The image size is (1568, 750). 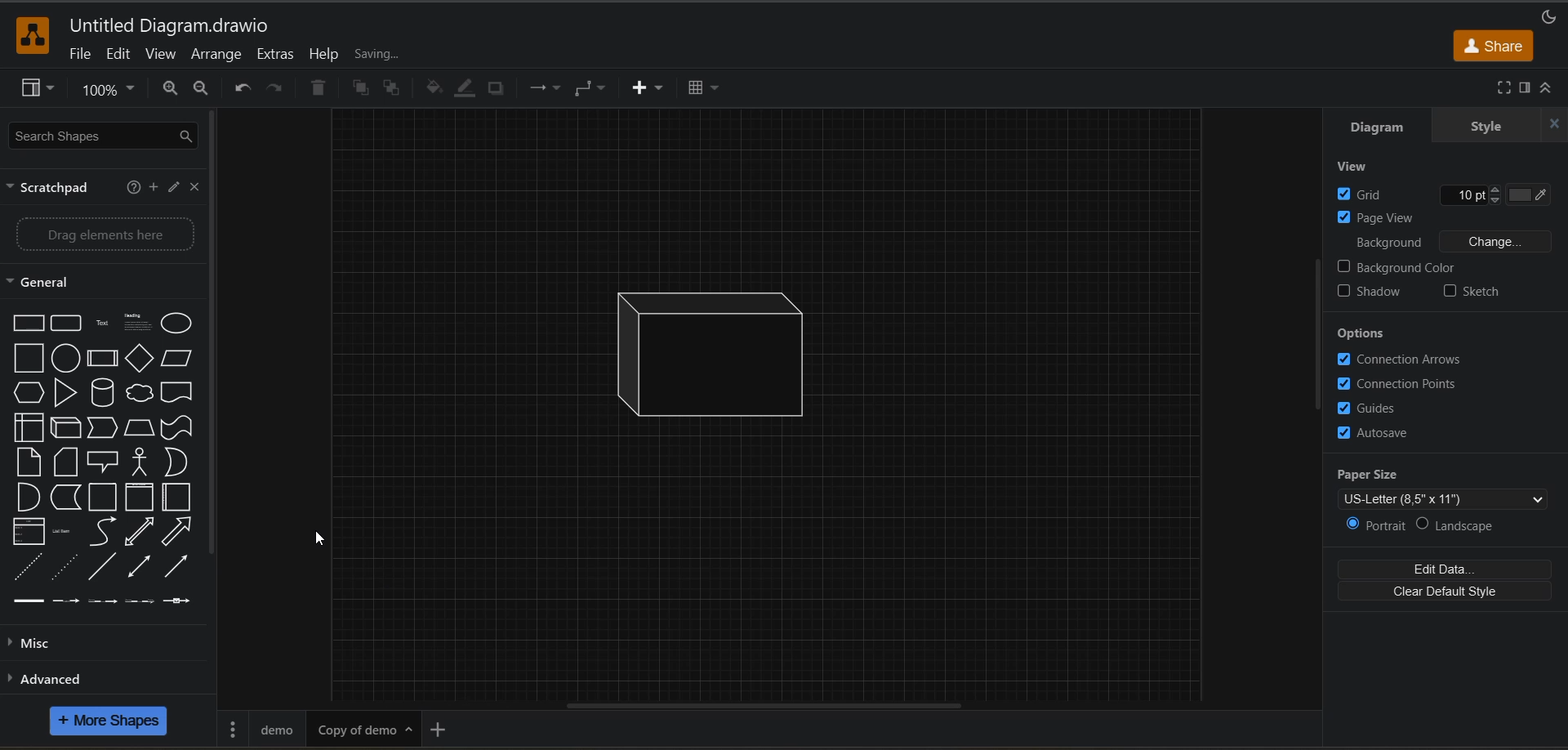 What do you see at coordinates (1555, 124) in the screenshot?
I see `close` at bounding box center [1555, 124].